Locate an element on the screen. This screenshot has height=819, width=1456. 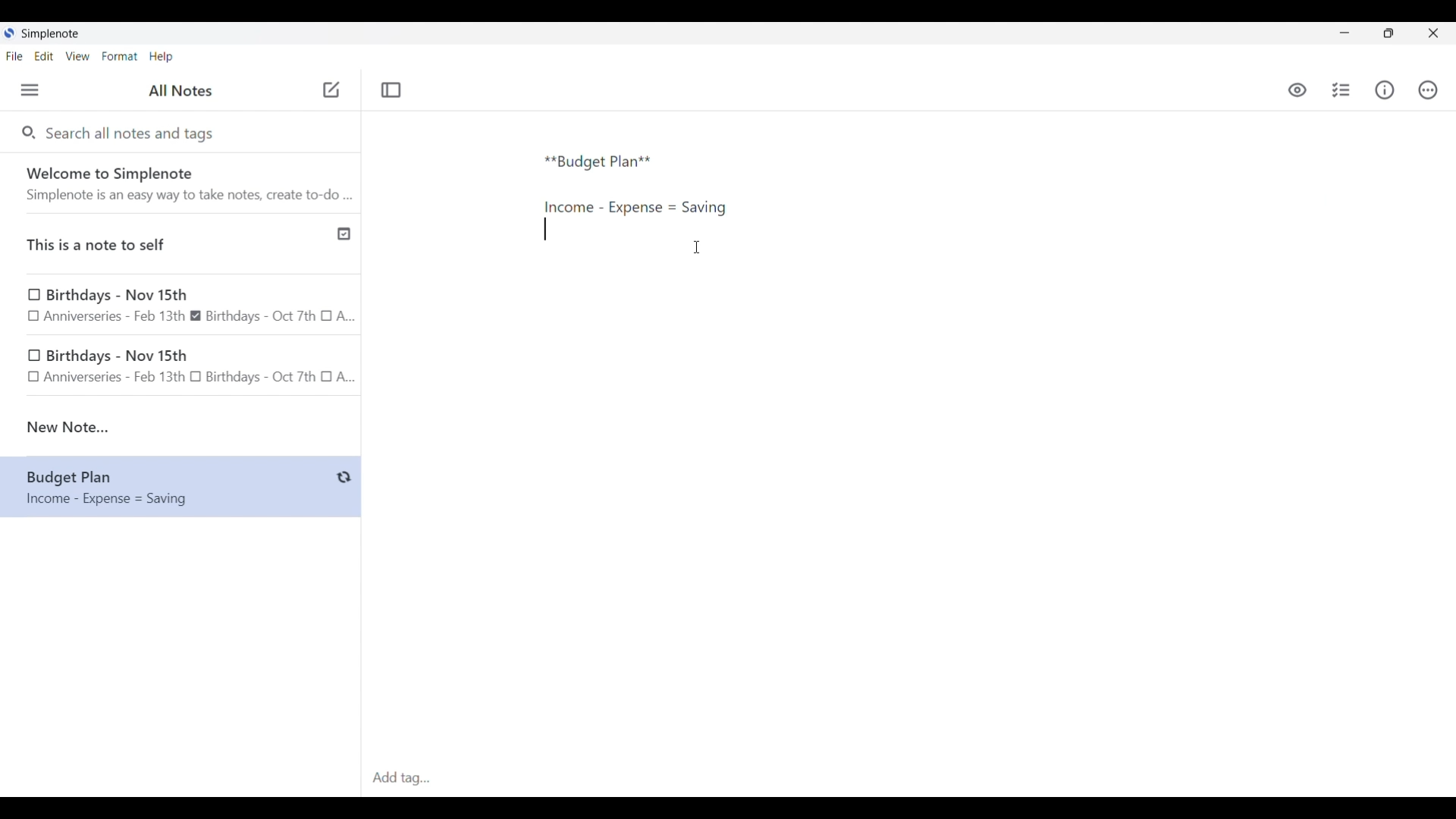
File menu is located at coordinates (14, 55).